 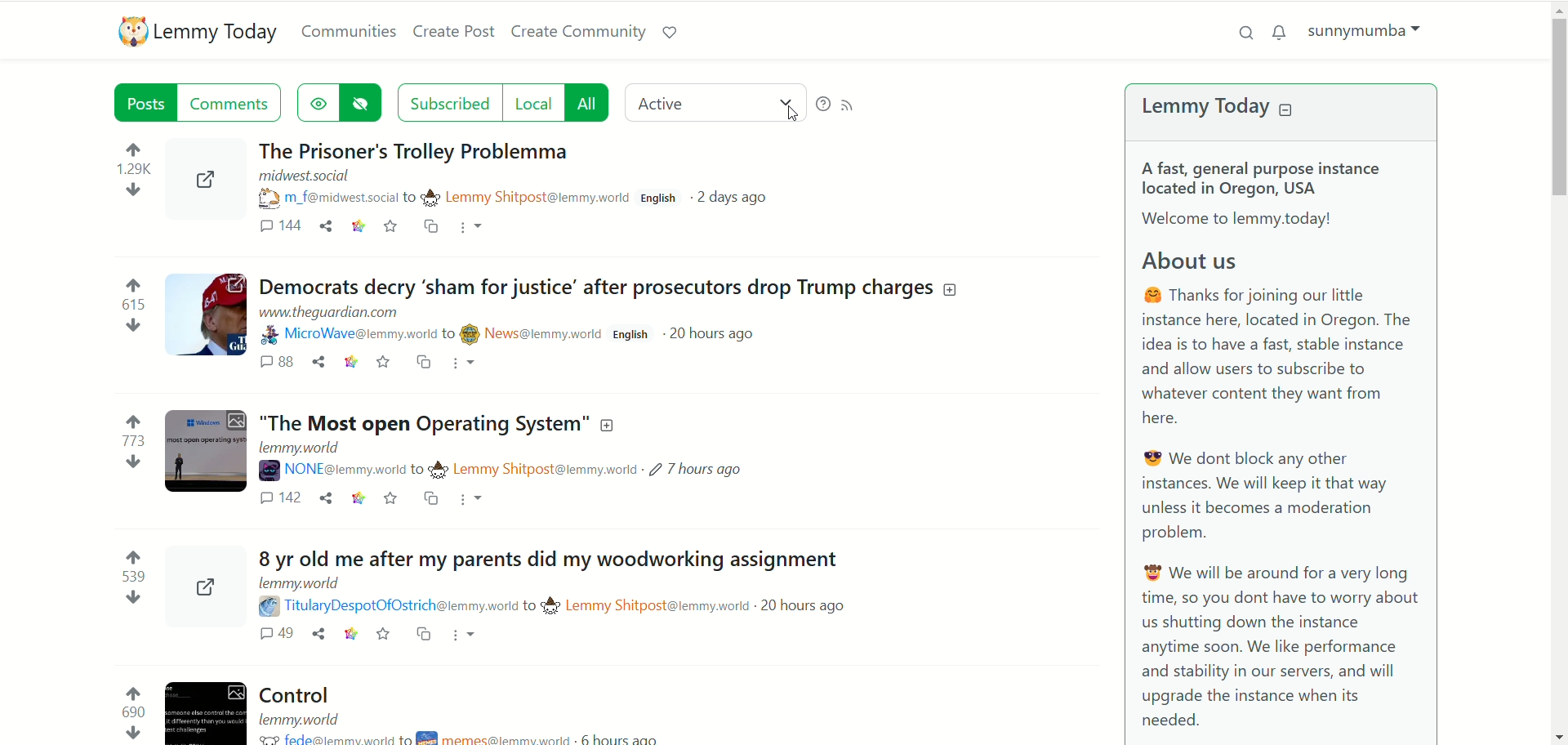 What do you see at coordinates (670, 33) in the screenshot?
I see `support lemmy` at bounding box center [670, 33].